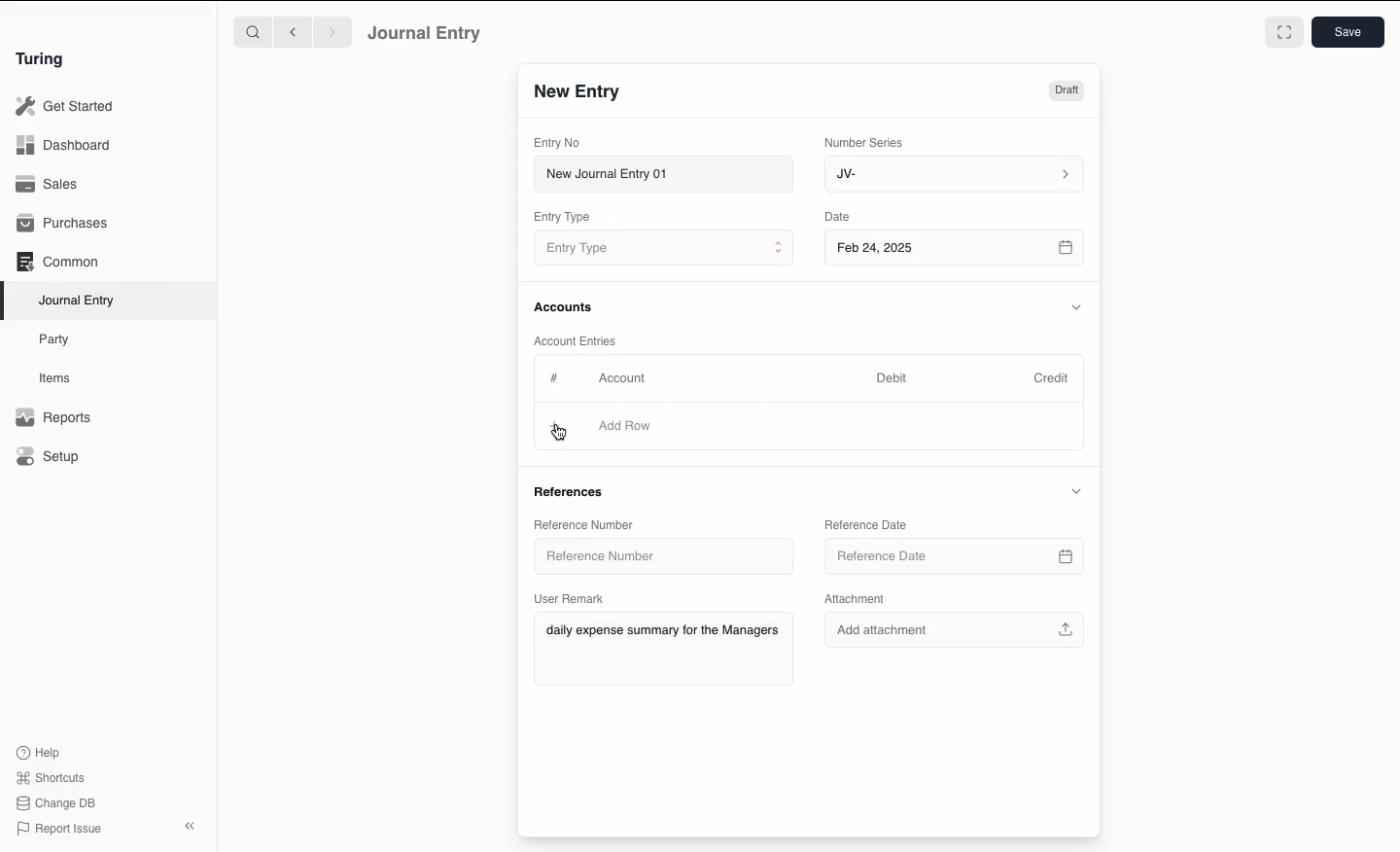 This screenshot has height=852, width=1400. What do you see at coordinates (578, 92) in the screenshot?
I see `New Entry` at bounding box center [578, 92].